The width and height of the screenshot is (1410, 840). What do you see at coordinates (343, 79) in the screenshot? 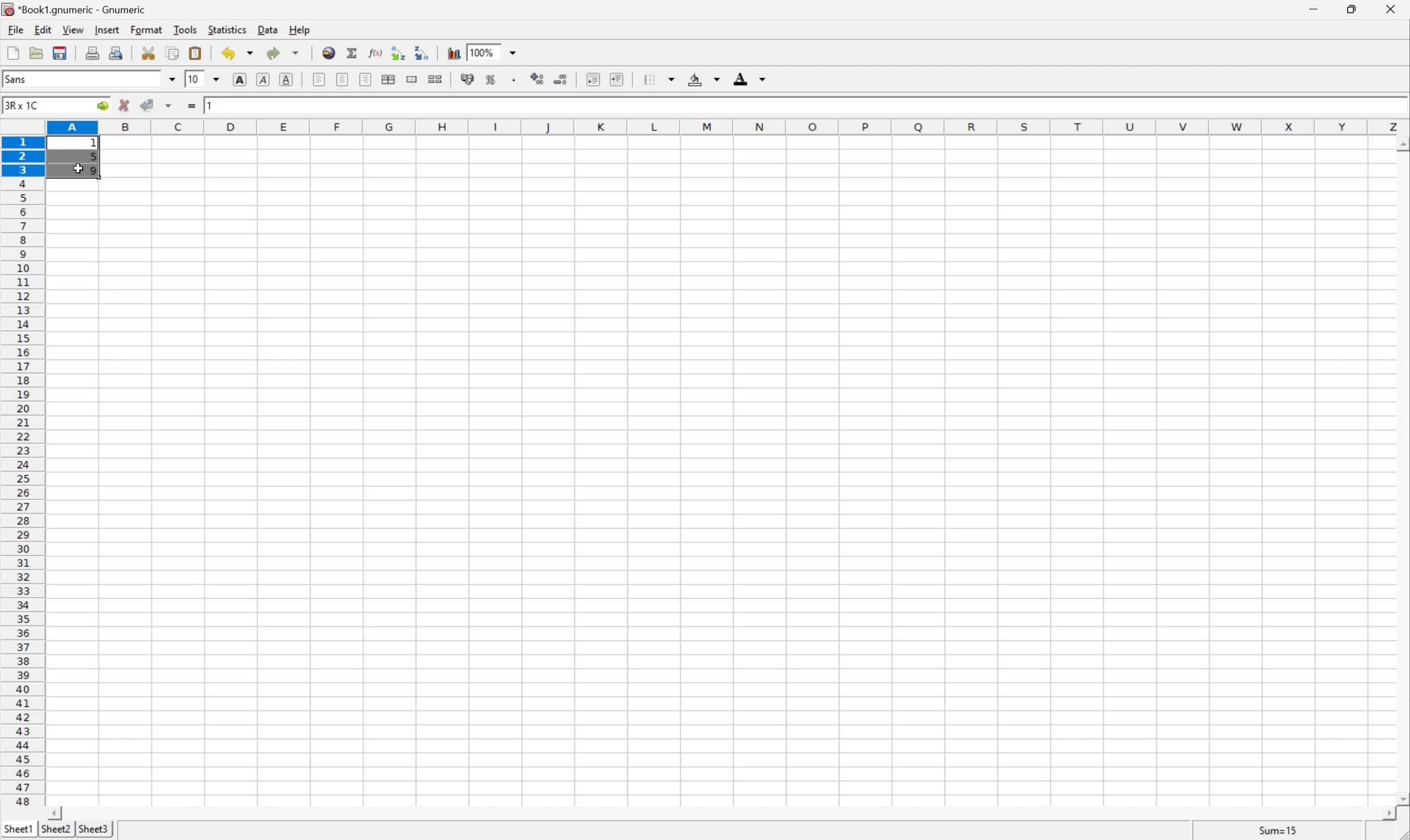
I see `align center` at bounding box center [343, 79].